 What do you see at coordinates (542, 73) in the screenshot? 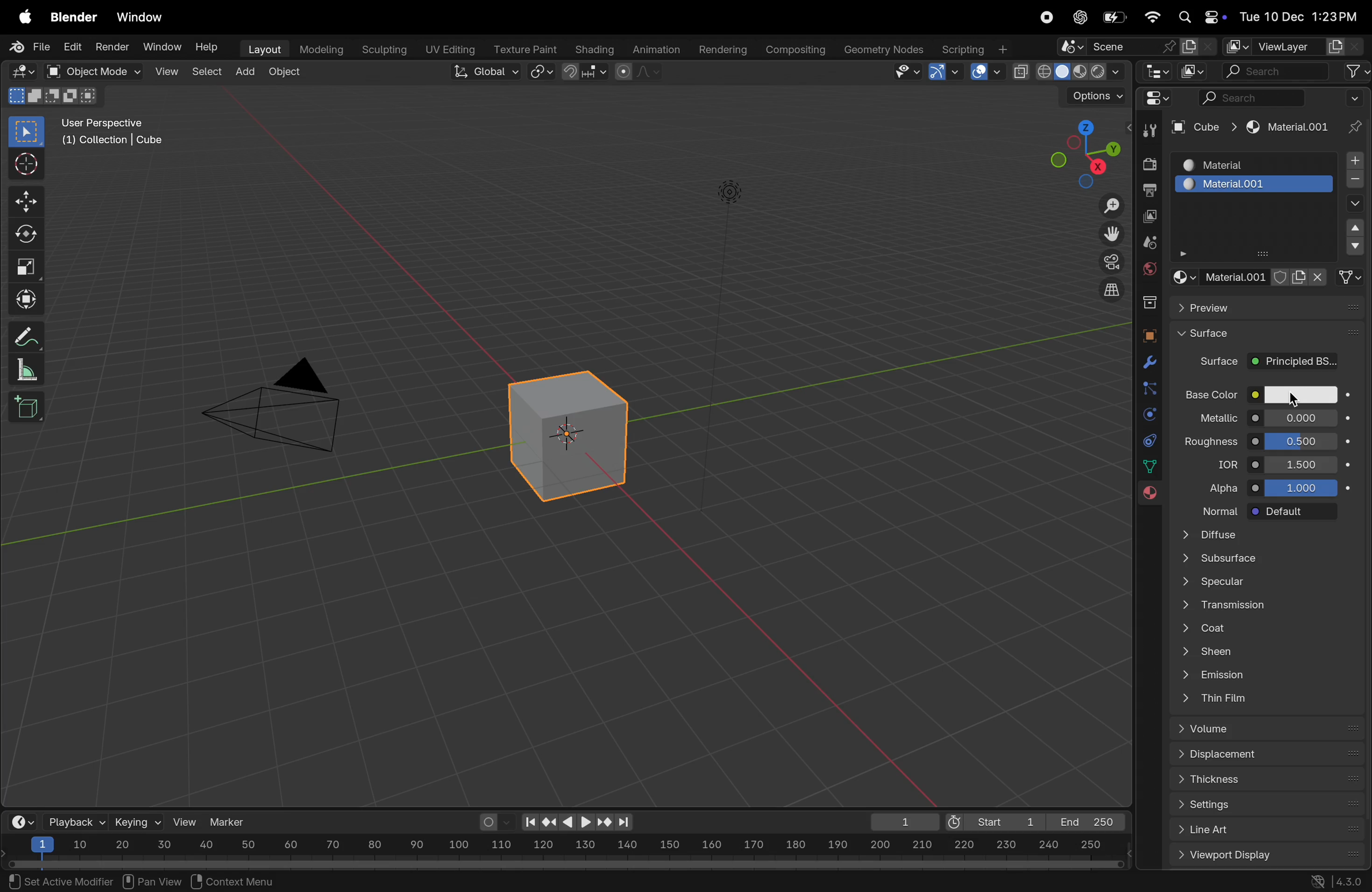
I see `snap` at bounding box center [542, 73].